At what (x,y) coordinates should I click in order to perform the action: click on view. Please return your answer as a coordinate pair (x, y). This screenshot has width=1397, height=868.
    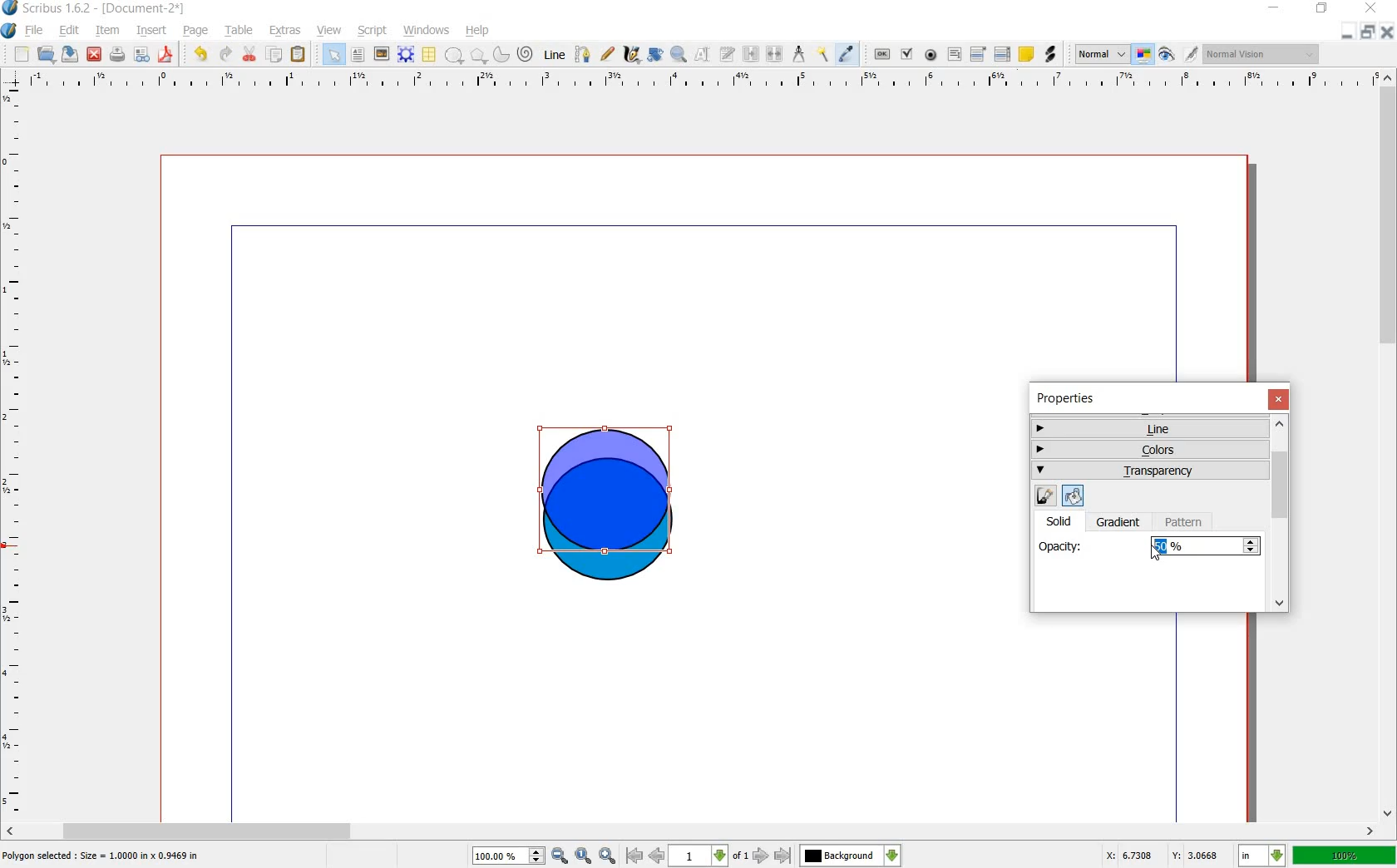
    Looking at the image, I should click on (328, 31).